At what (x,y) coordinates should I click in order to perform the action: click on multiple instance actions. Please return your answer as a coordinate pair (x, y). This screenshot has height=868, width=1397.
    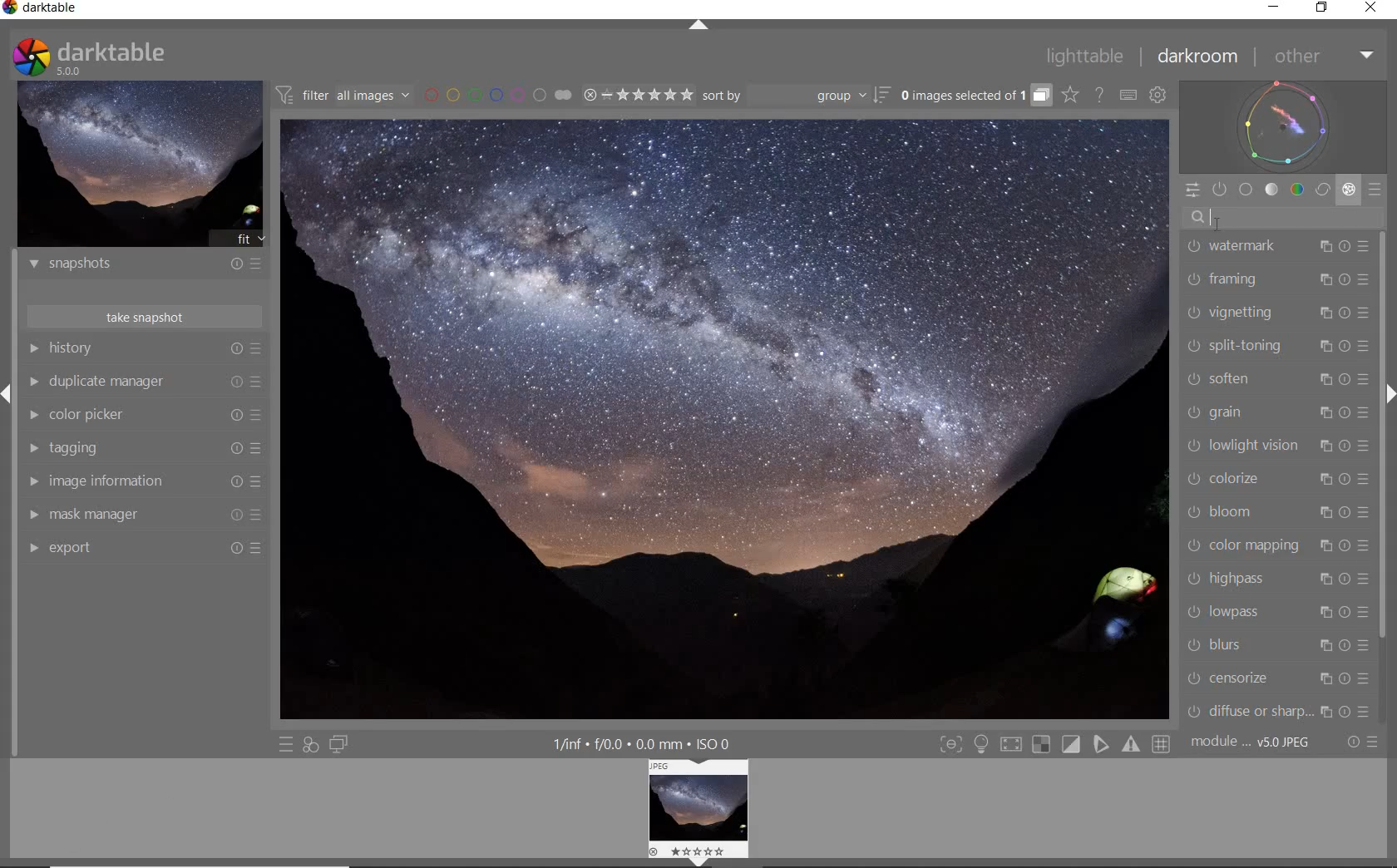
    Looking at the image, I should click on (1325, 343).